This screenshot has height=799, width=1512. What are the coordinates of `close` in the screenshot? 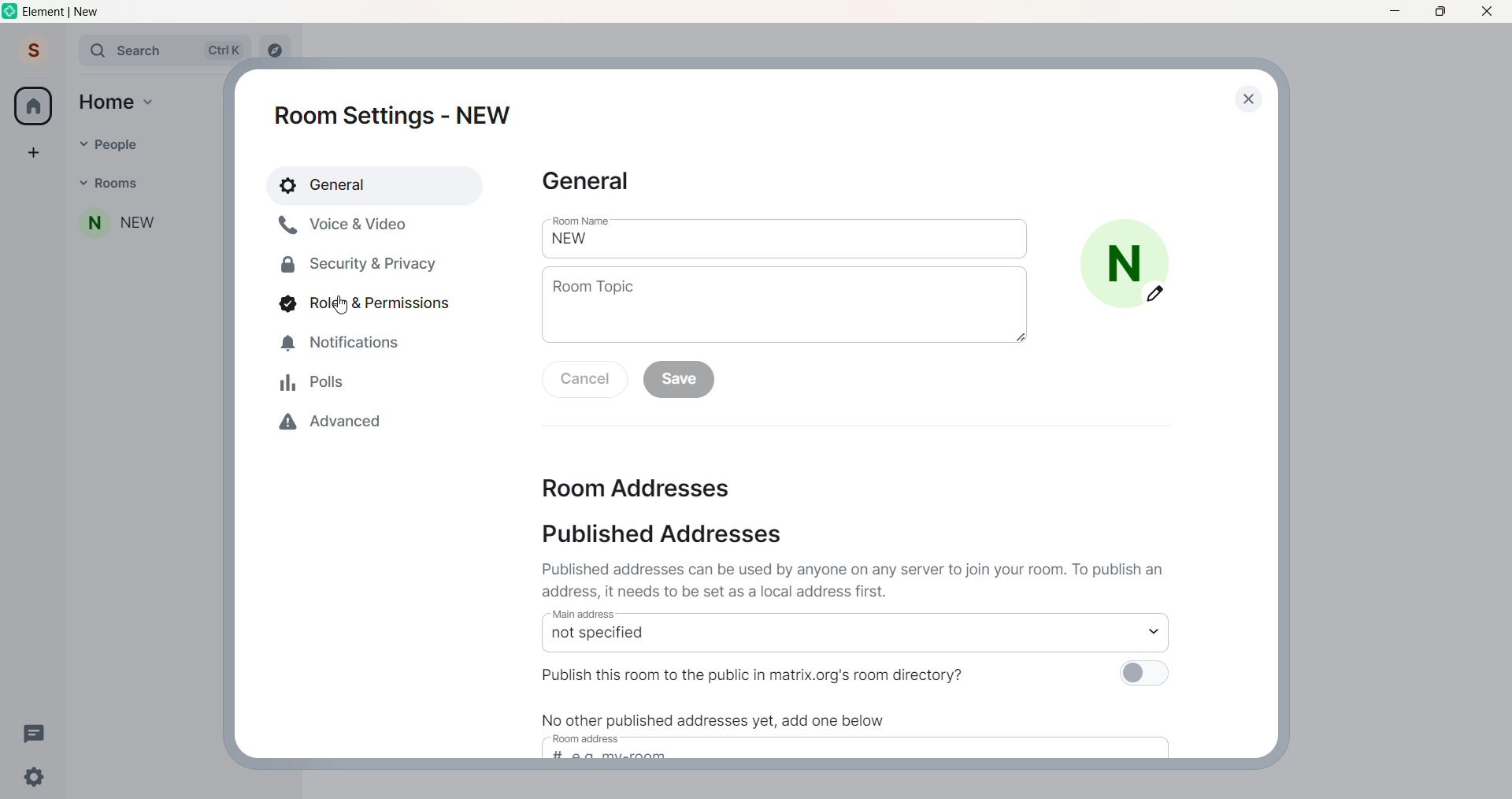 It's located at (1490, 11).